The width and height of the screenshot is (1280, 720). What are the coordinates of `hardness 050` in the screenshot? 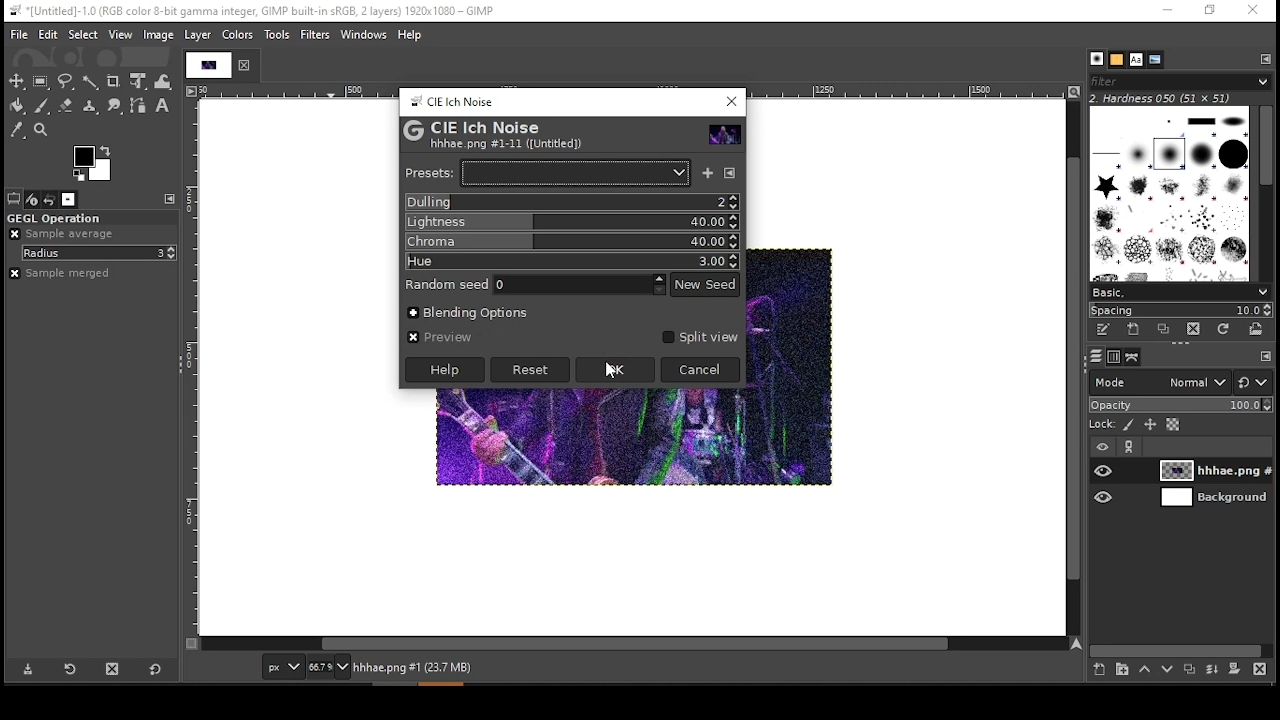 It's located at (1177, 98).